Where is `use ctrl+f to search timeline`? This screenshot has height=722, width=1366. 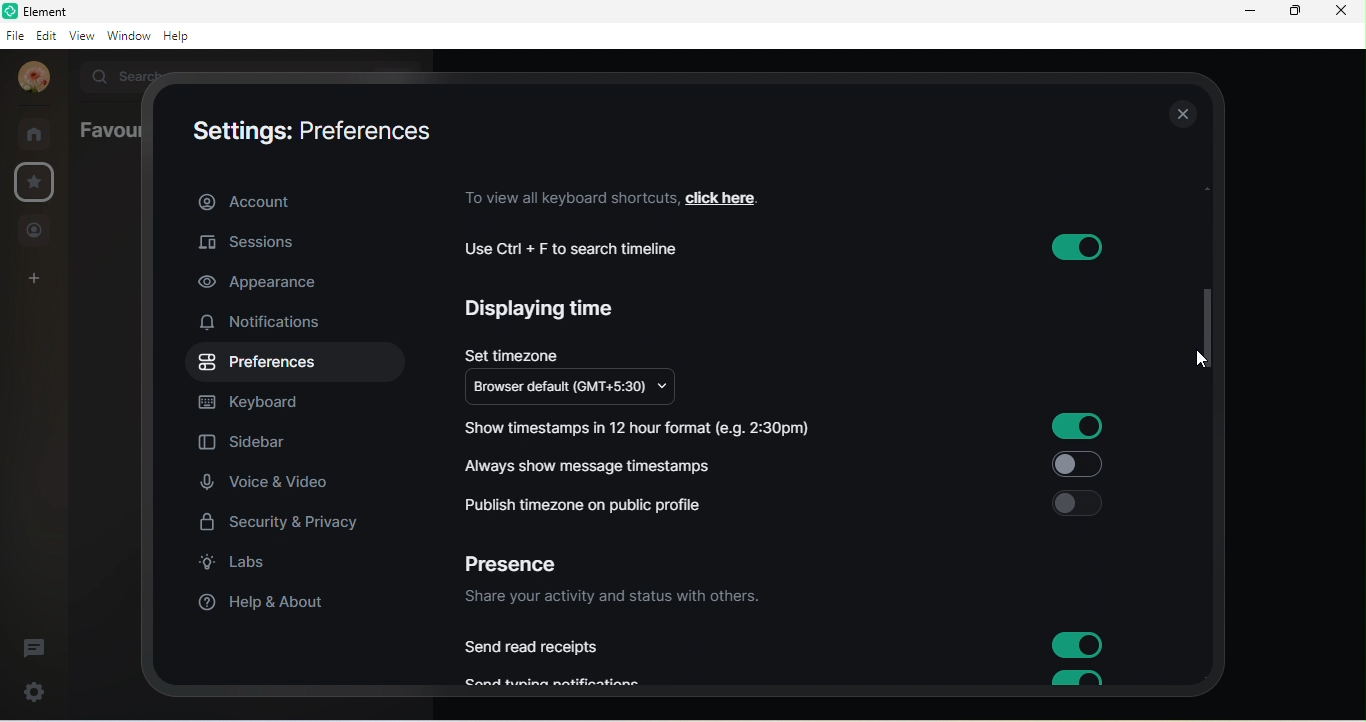 use ctrl+f to search timeline is located at coordinates (584, 249).